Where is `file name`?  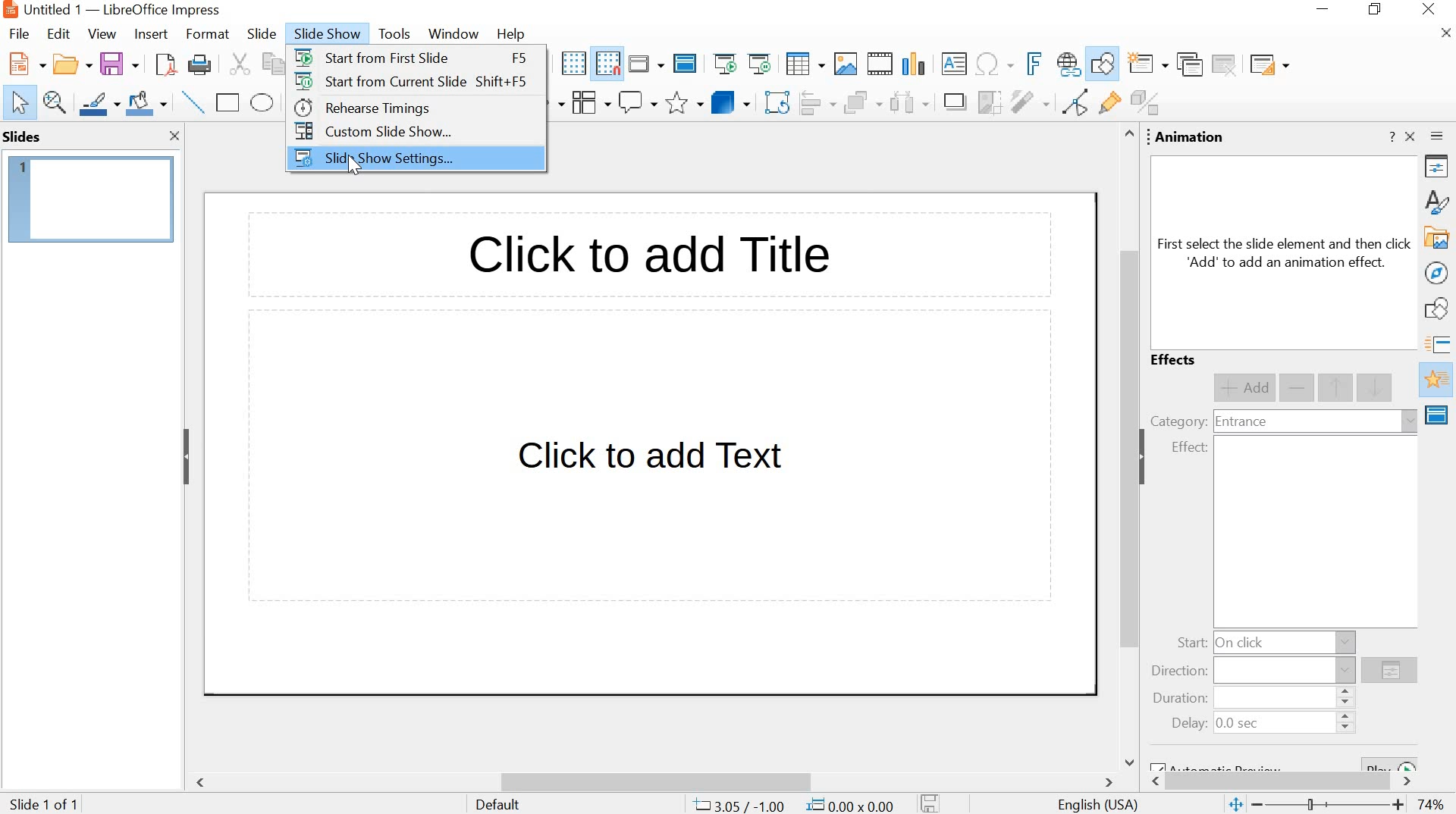
file name is located at coordinates (53, 9).